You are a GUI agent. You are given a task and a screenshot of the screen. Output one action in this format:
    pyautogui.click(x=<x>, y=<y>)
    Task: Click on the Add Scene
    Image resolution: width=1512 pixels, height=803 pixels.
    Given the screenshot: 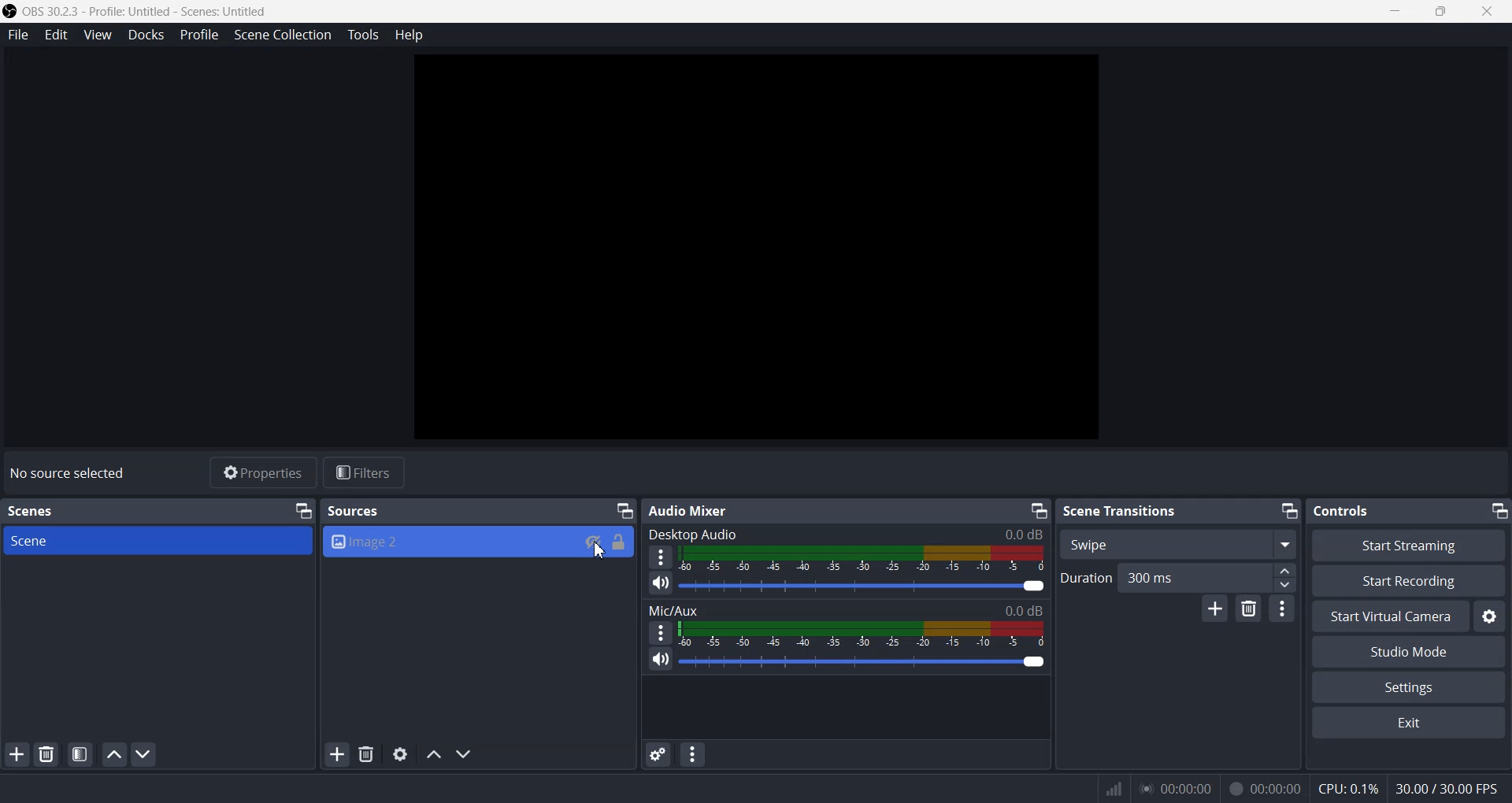 What is the action you would take?
    pyautogui.click(x=15, y=756)
    